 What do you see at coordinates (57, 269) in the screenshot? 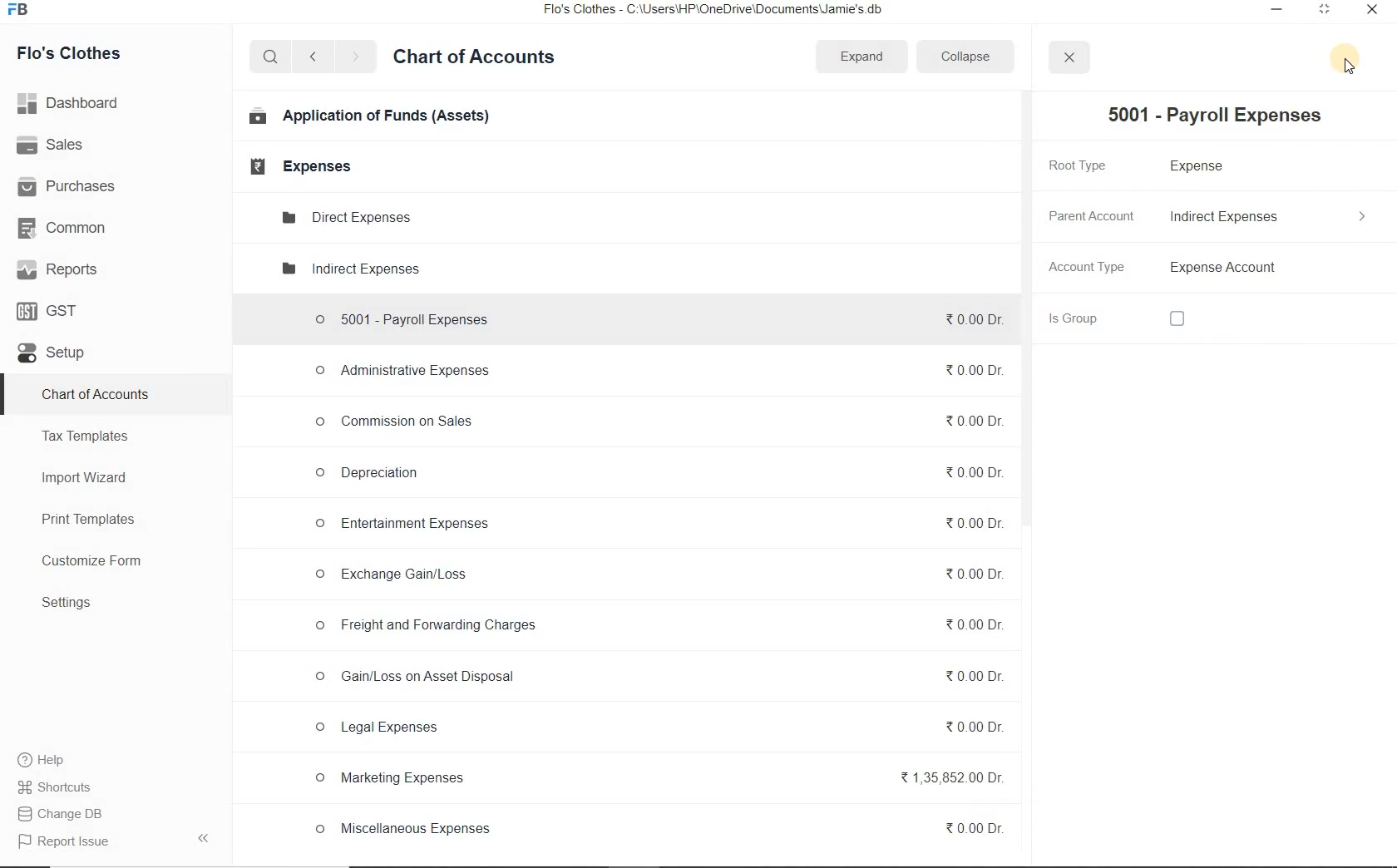
I see `Reports` at bounding box center [57, 269].